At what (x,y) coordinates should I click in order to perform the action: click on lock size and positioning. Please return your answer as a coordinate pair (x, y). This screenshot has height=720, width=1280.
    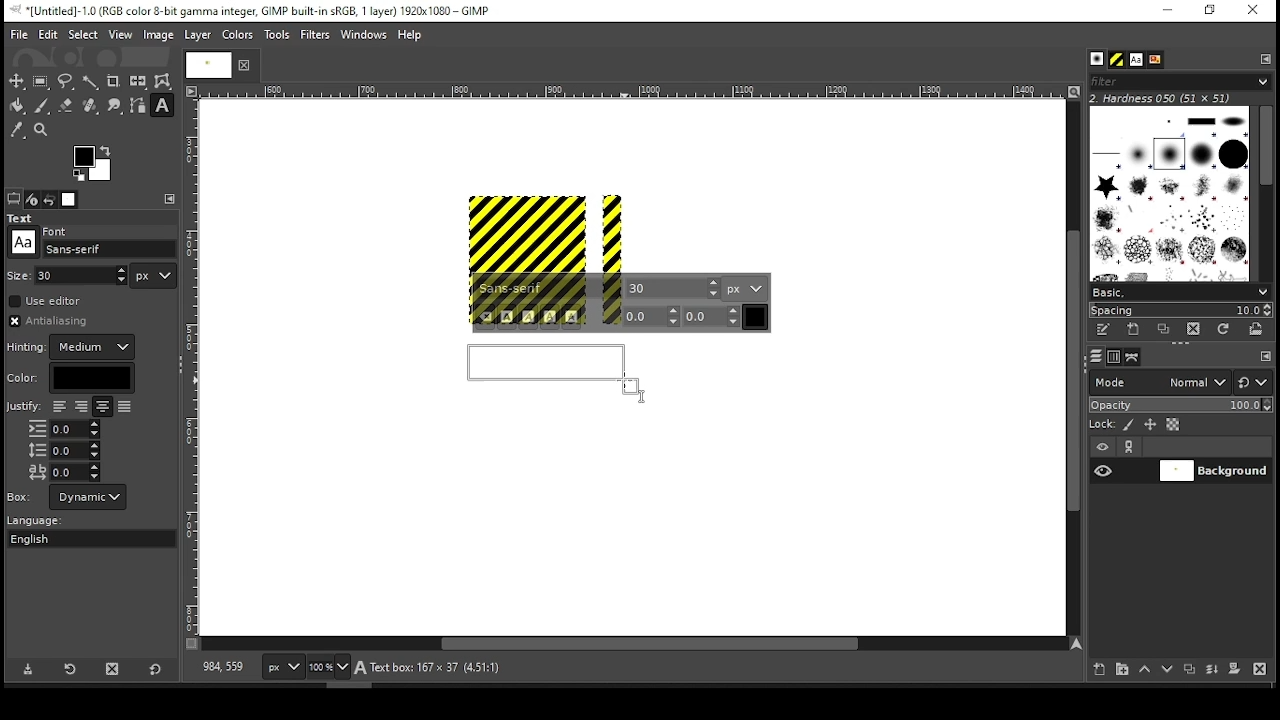
    Looking at the image, I should click on (1152, 425).